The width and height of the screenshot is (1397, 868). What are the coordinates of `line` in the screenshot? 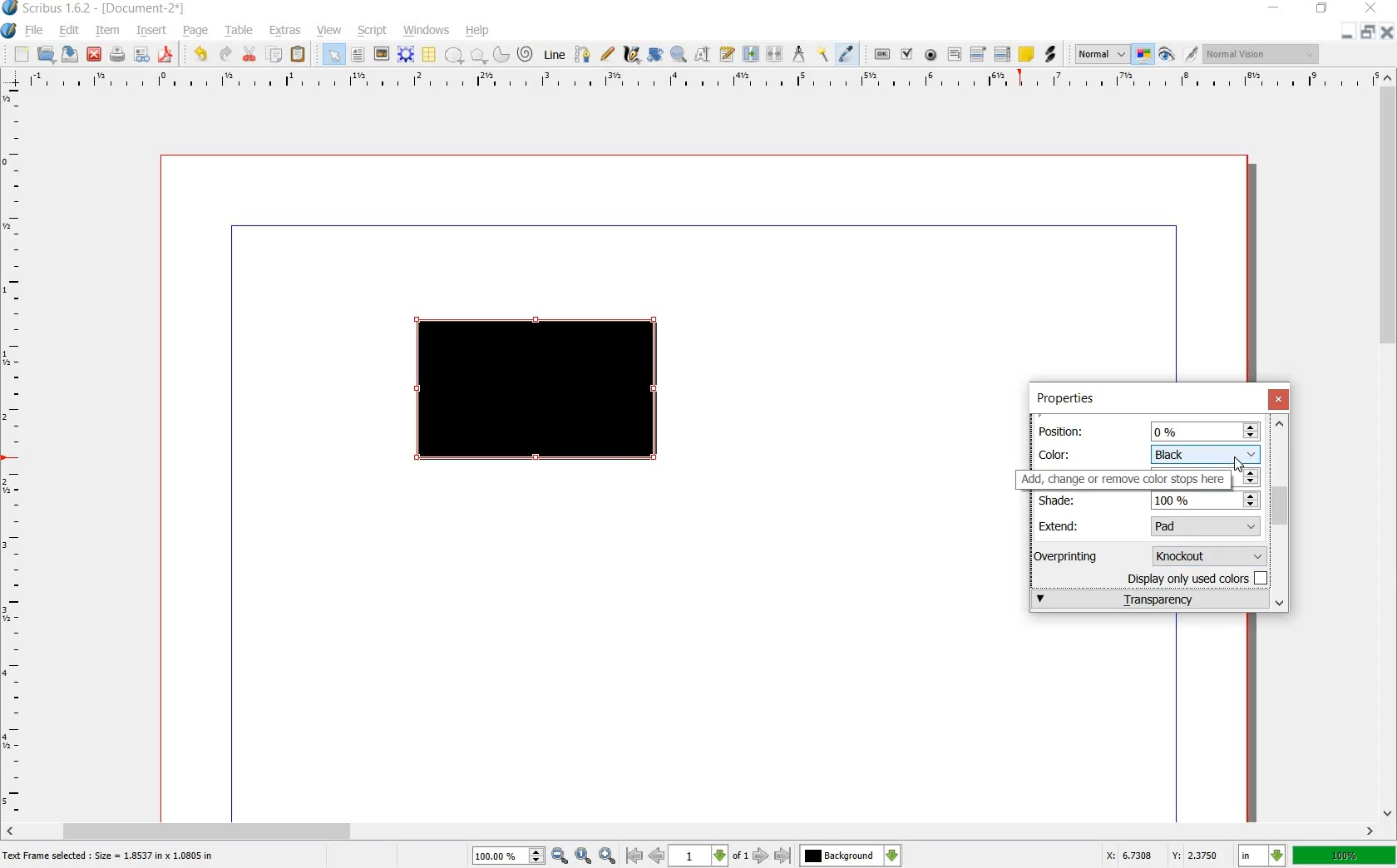 It's located at (556, 56).